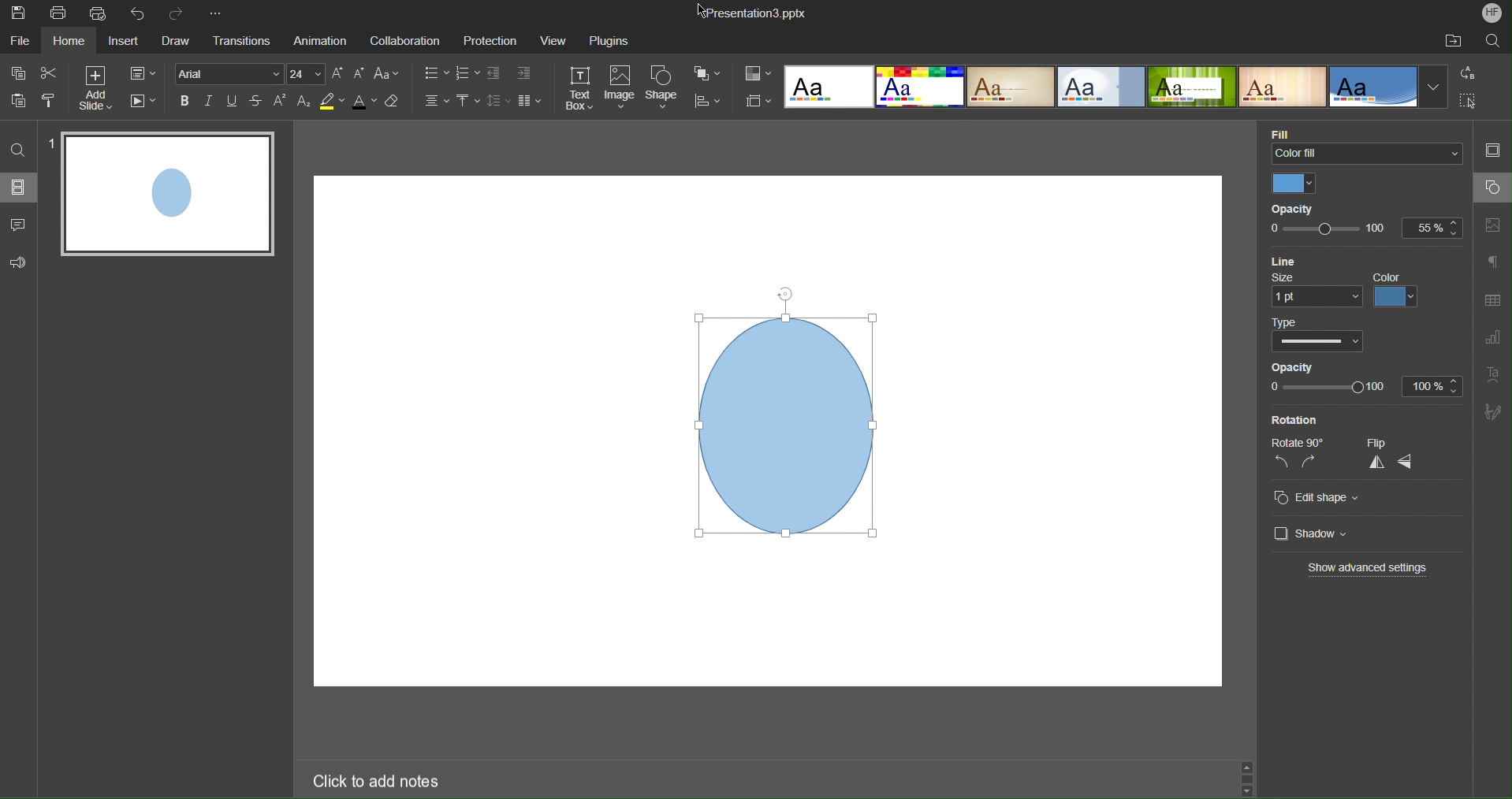 Image resolution: width=1512 pixels, height=799 pixels. What do you see at coordinates (210, 103) in the screenshot?
I see `Italics` at bounding box center [210, 103].